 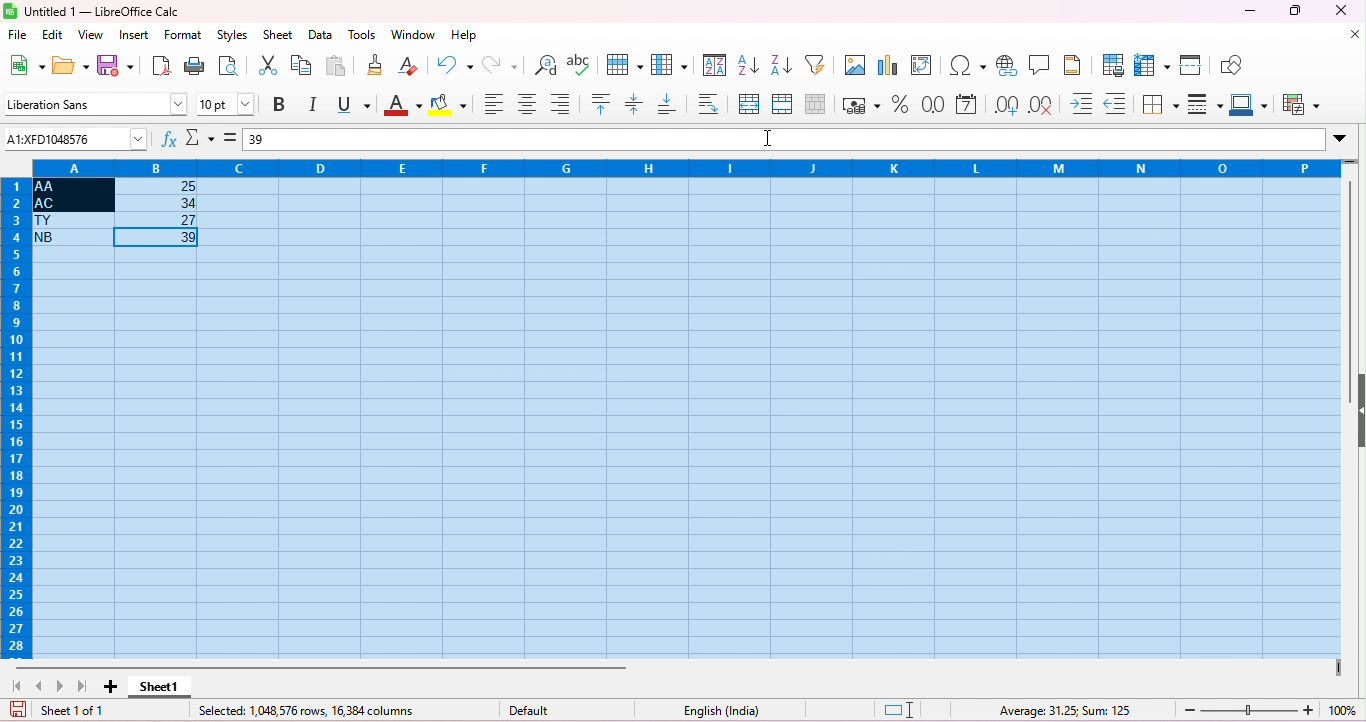 What do you see at coordinates (1341, 10) in the screenshot?
I see `close` at bounding box center [1341, 10].